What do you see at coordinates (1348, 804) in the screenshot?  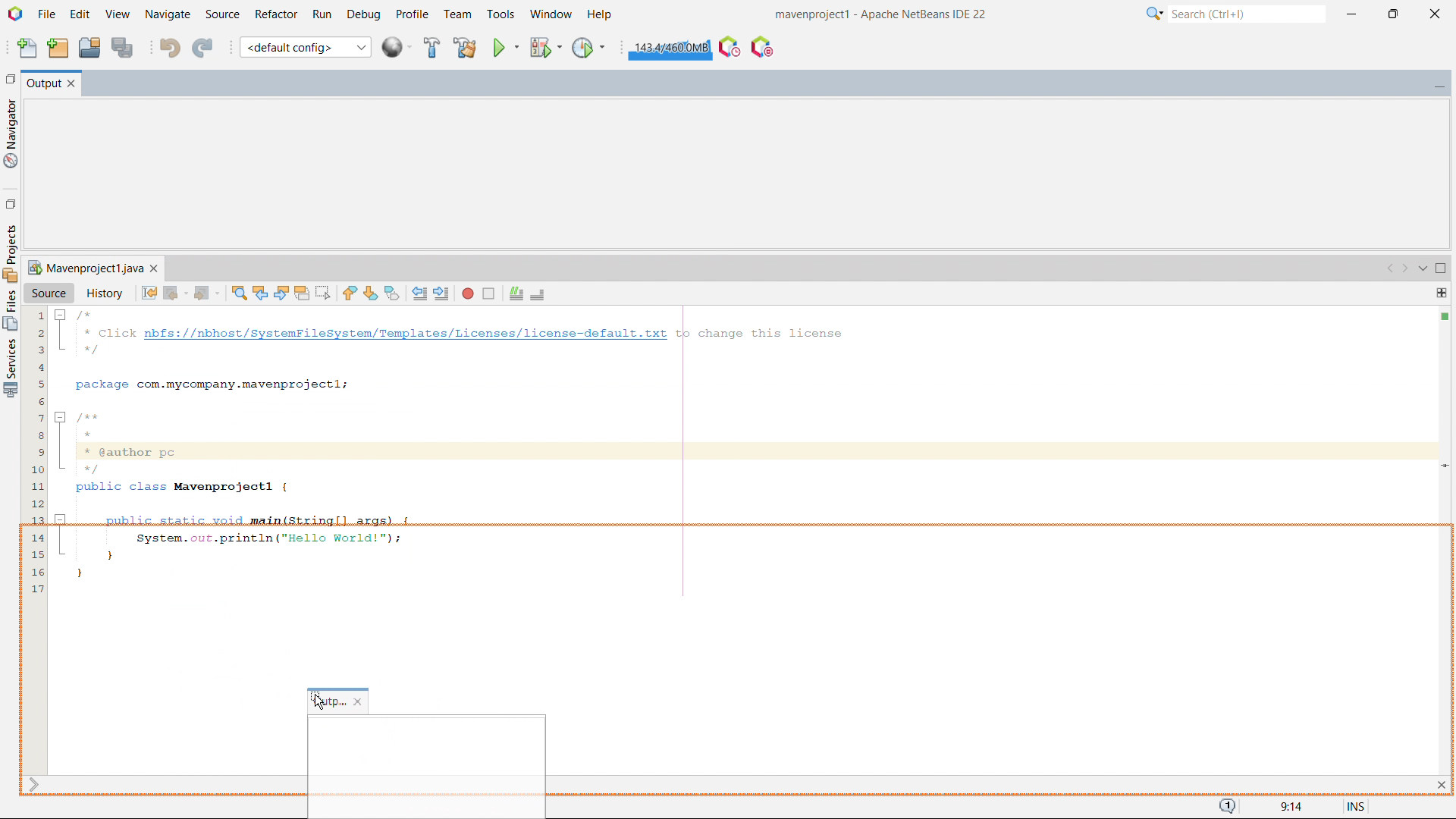 I see `INS` at bounding box center [1348, 804].